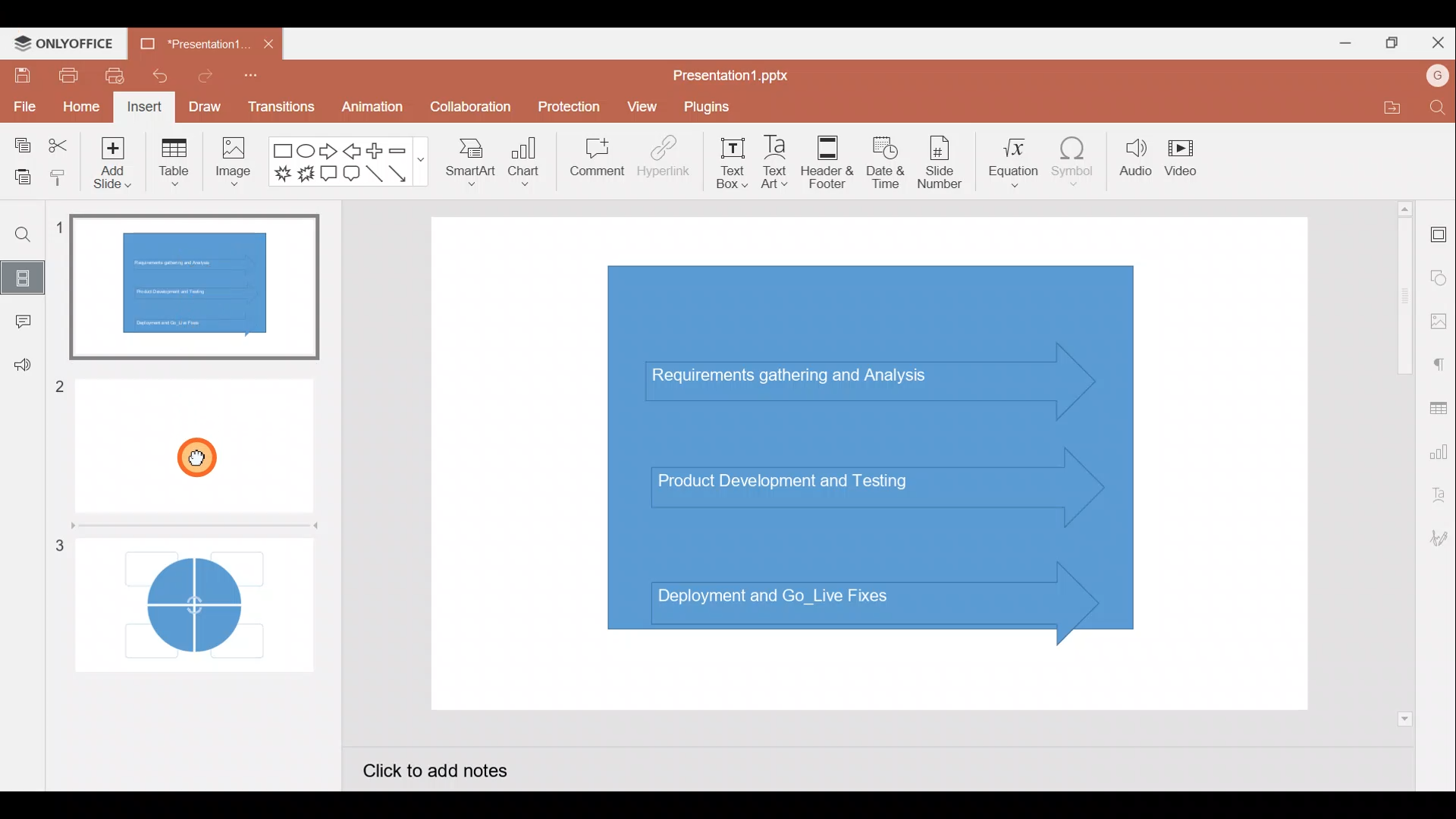 This screenshot has width=1456, height=819. I want to click on Feedback & support, so click(20, 370).